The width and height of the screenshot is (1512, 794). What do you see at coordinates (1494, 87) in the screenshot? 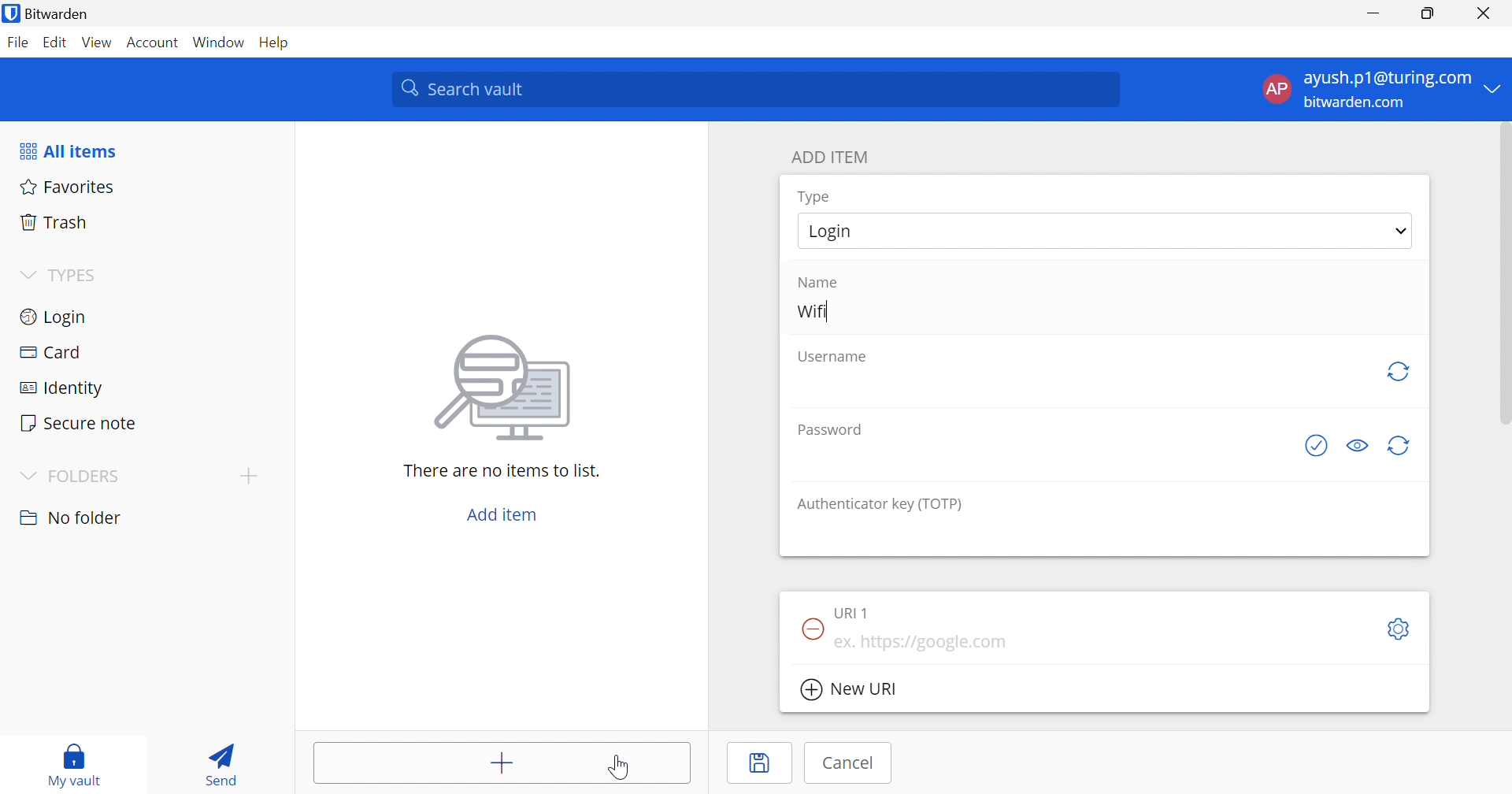
I see `Drop Down` at bounding box center [1494, 87].